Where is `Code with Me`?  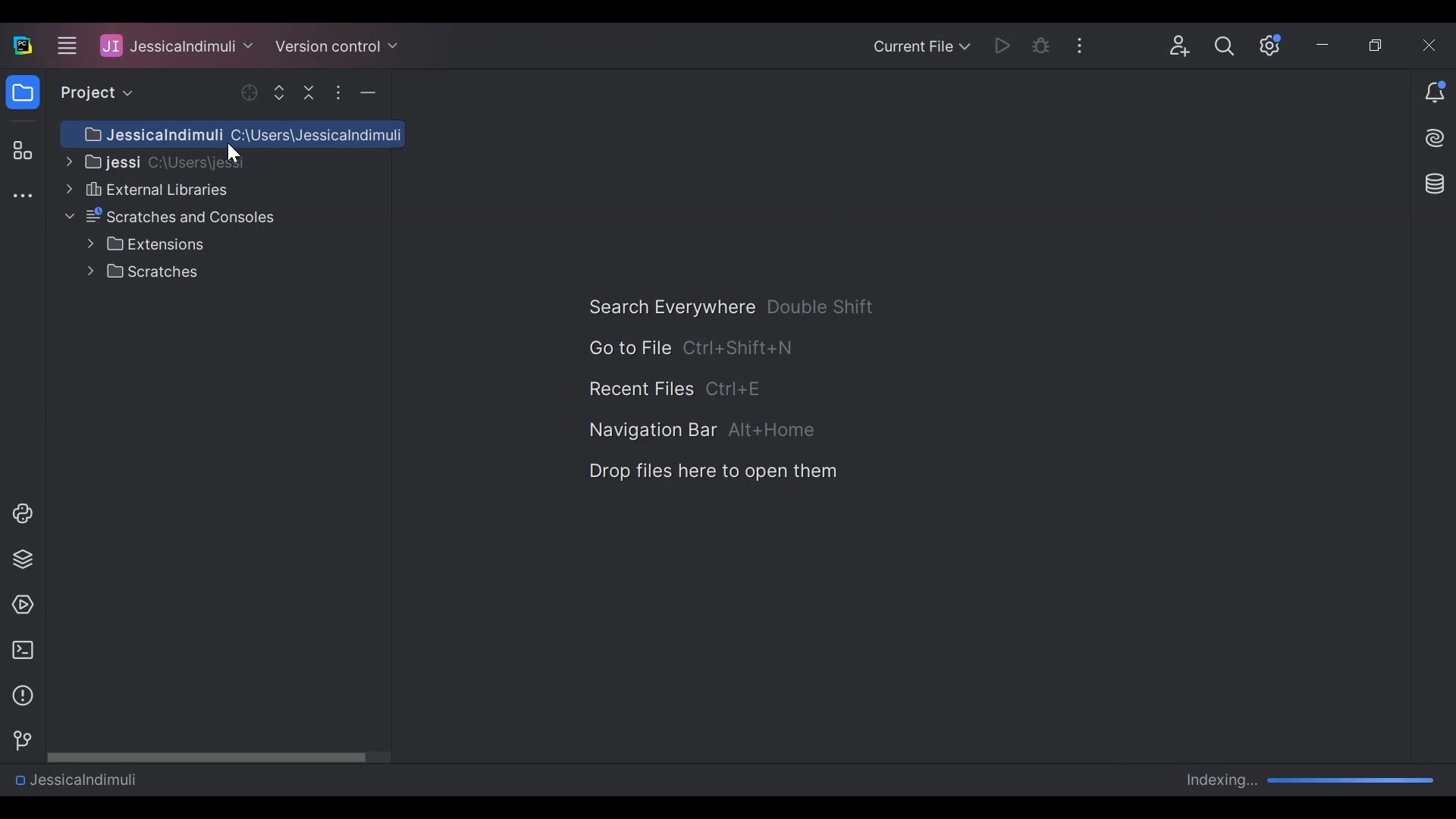
Code with Me is located at coordinates (1180, 46).